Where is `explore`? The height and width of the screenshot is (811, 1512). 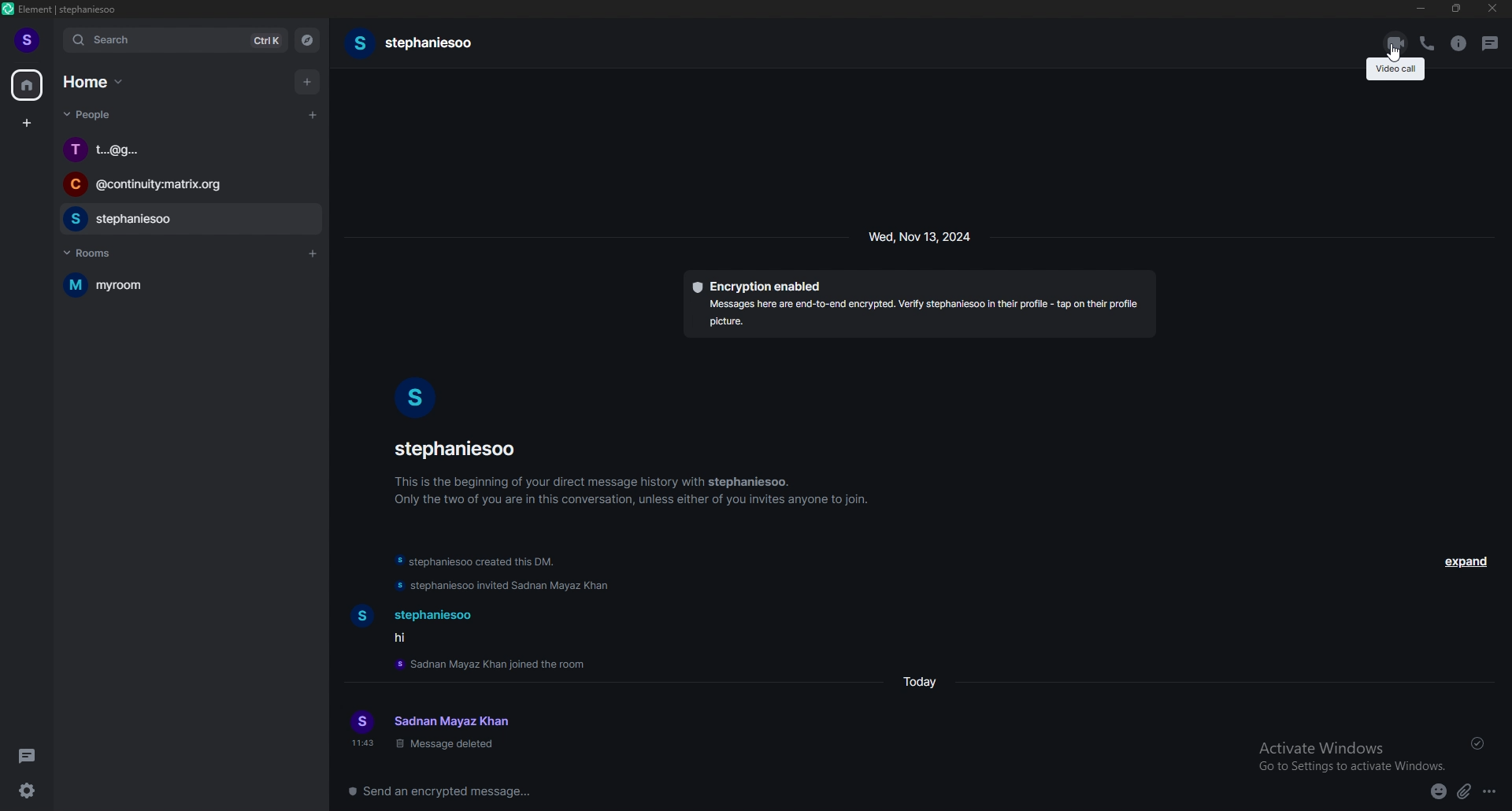
explore is located at coordinates (307, 40).